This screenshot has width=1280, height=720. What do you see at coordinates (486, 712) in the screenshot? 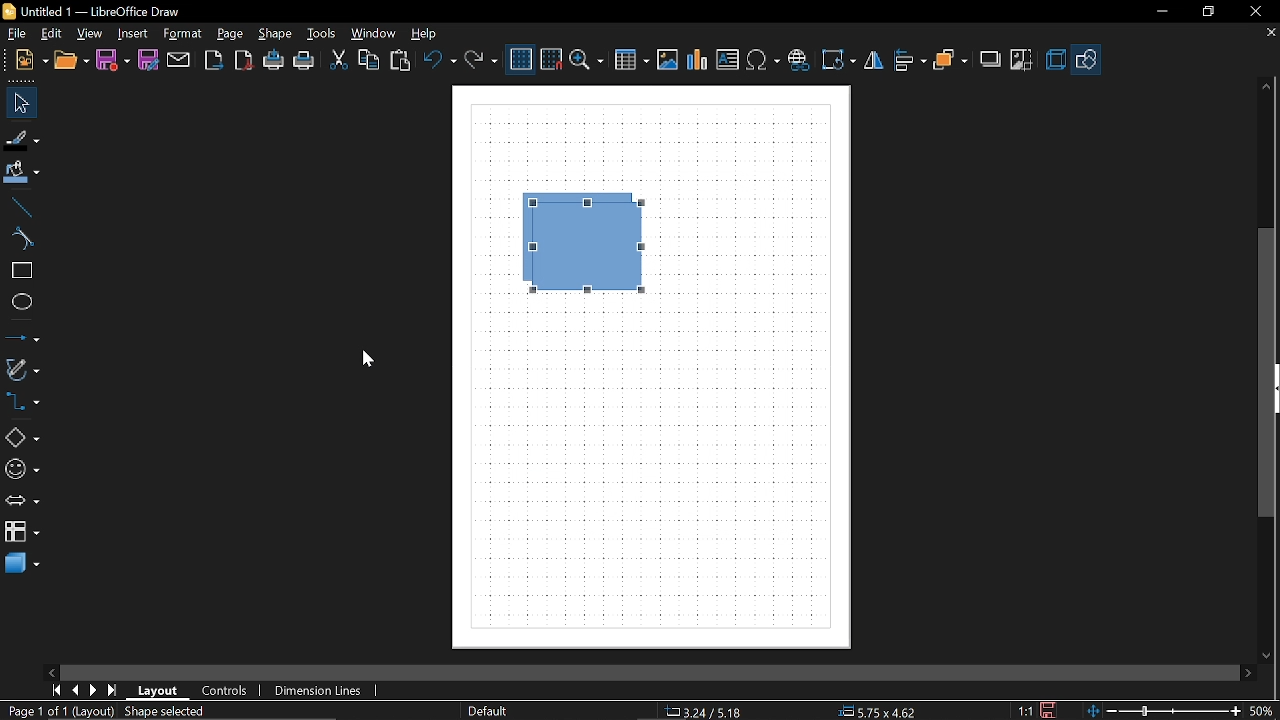
I see `Page style` at bounding box center [486, 712].